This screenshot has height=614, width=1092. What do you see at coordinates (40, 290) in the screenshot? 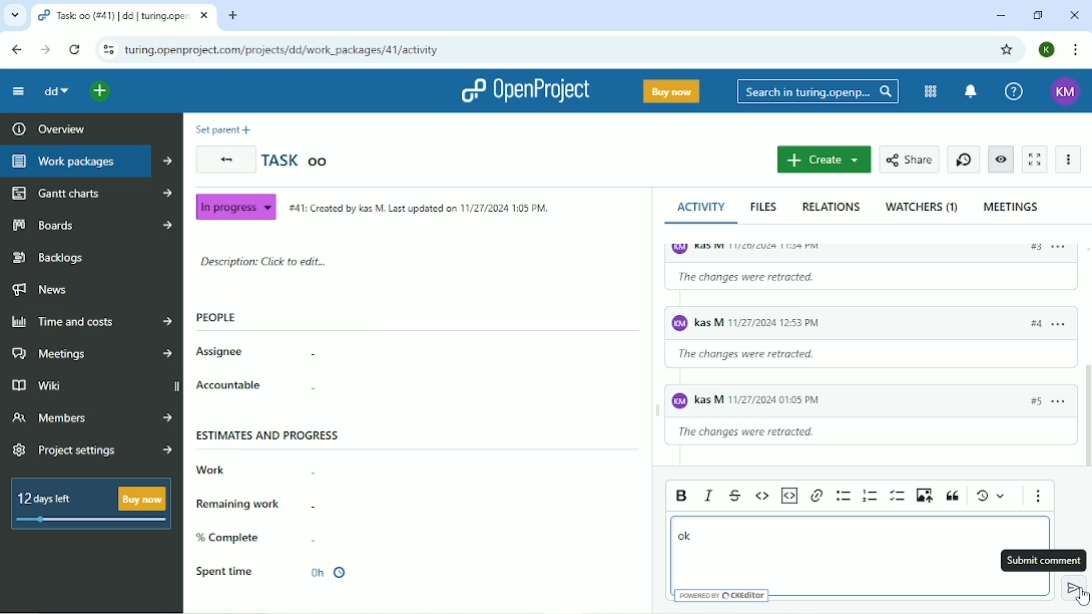
I see `News` at bounding box center [40, 290].